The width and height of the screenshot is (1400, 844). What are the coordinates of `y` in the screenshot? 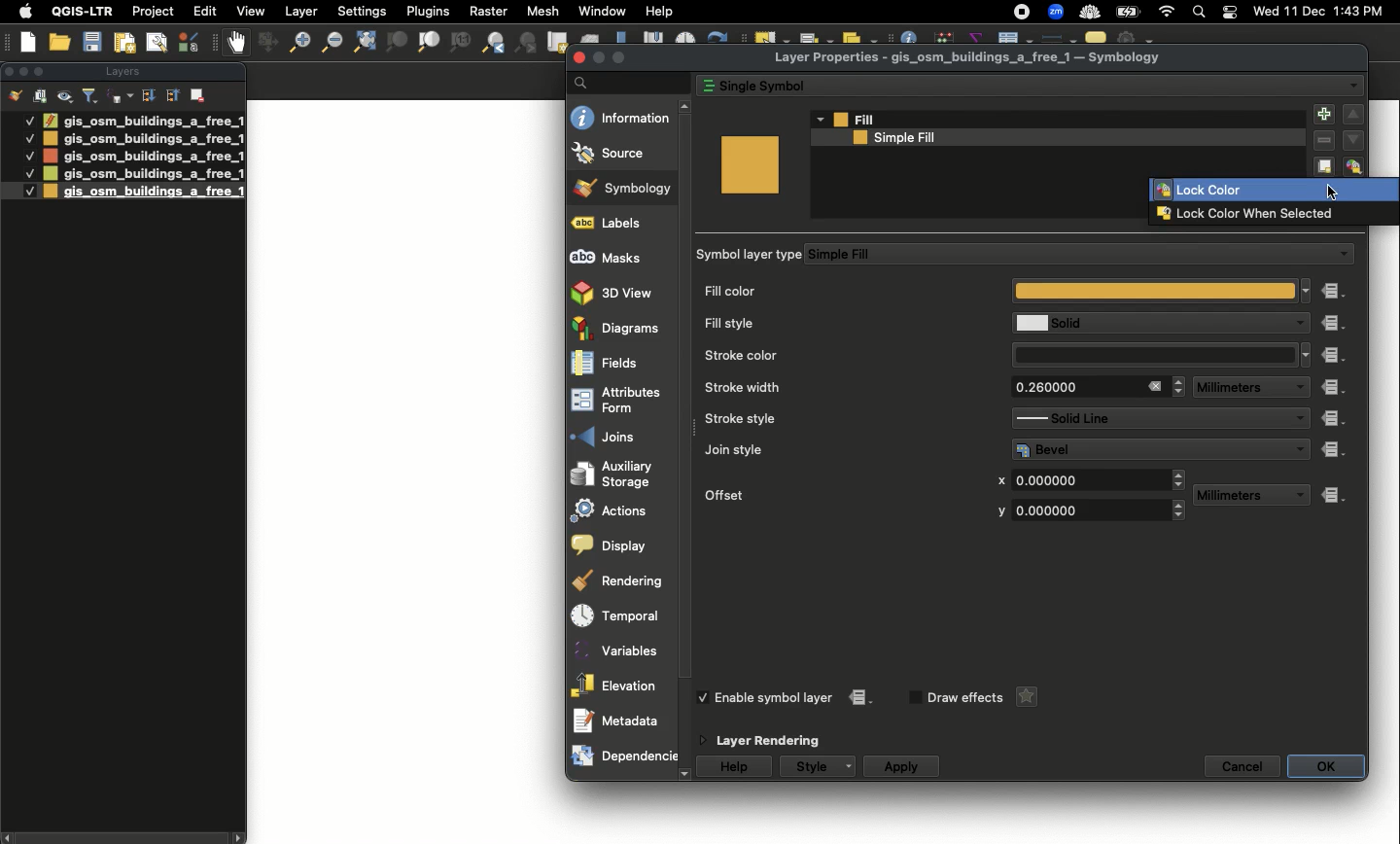 It's located at (998, 511).